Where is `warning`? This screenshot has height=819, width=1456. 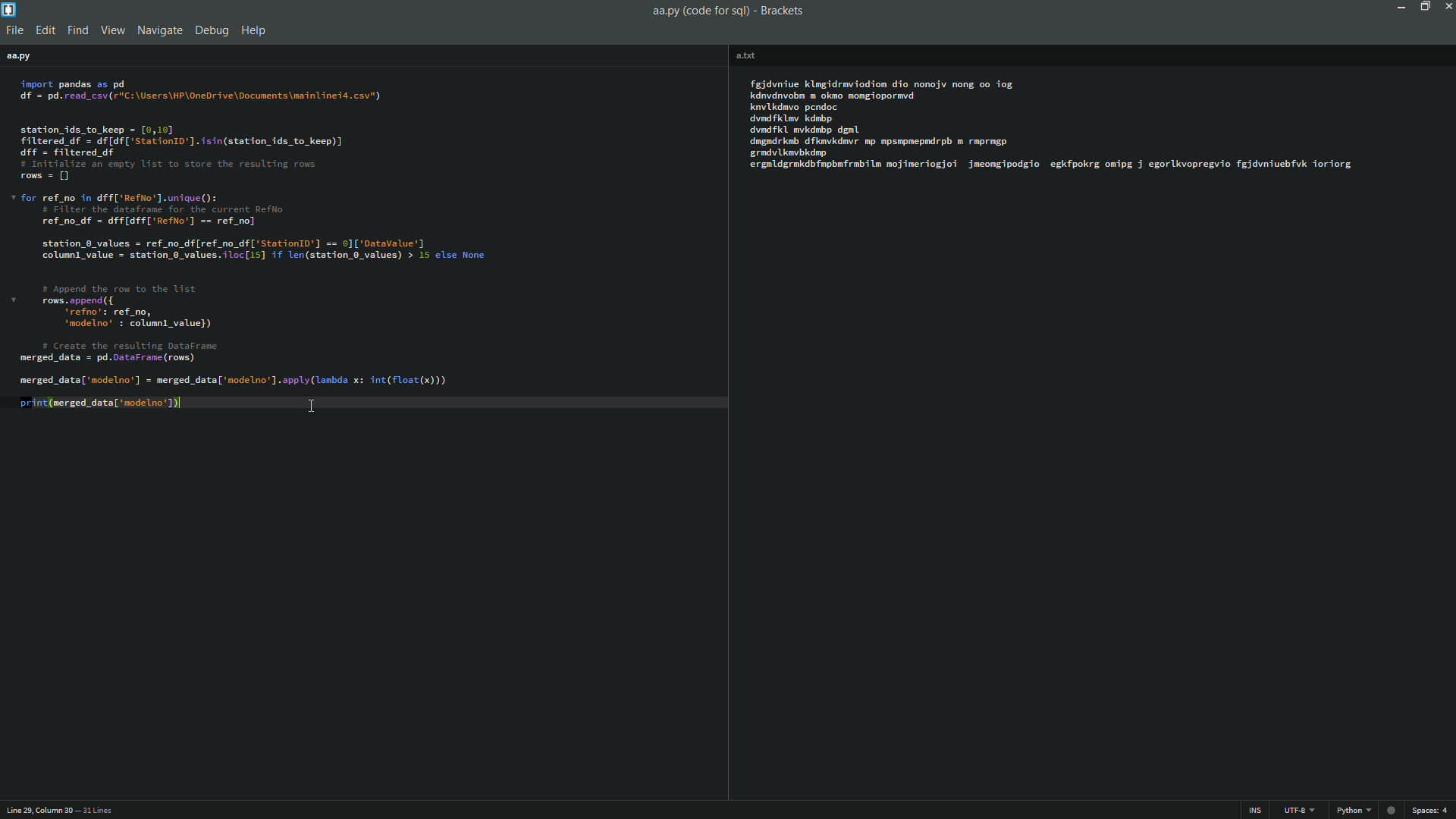 warning is located at coordinates (1393, 808).